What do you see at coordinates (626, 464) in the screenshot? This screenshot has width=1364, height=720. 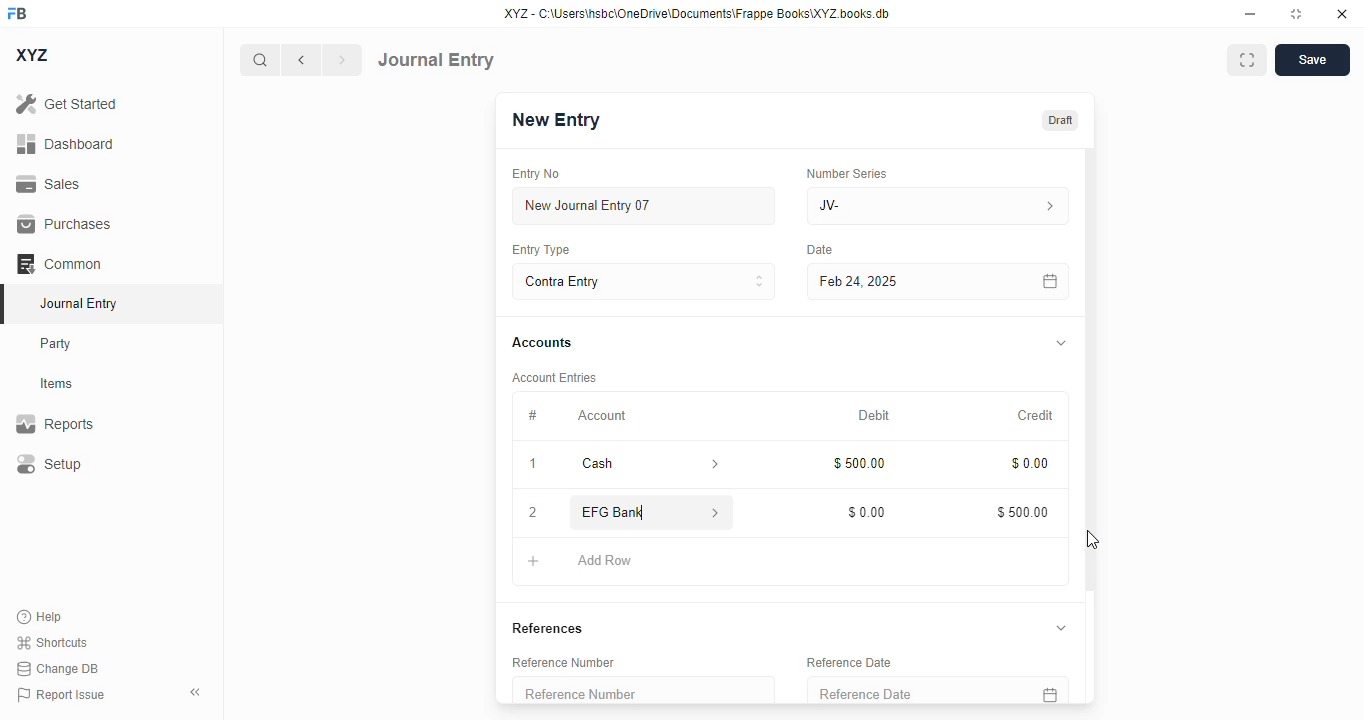 I see `cash ` at bounding box center [626, 464].